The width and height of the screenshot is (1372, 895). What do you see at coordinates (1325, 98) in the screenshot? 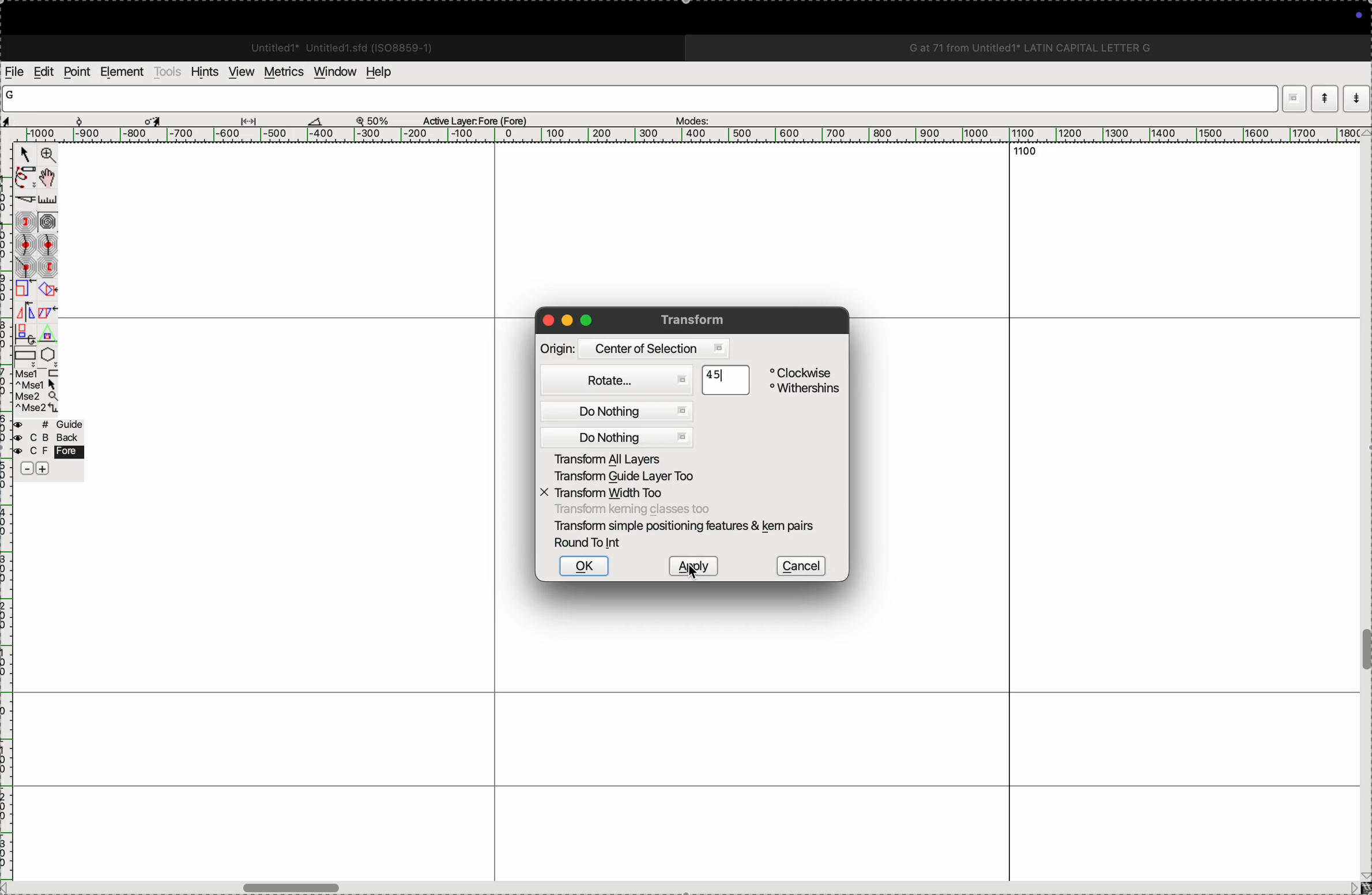
I see `show current word list` at bounding box center [1325, 98].